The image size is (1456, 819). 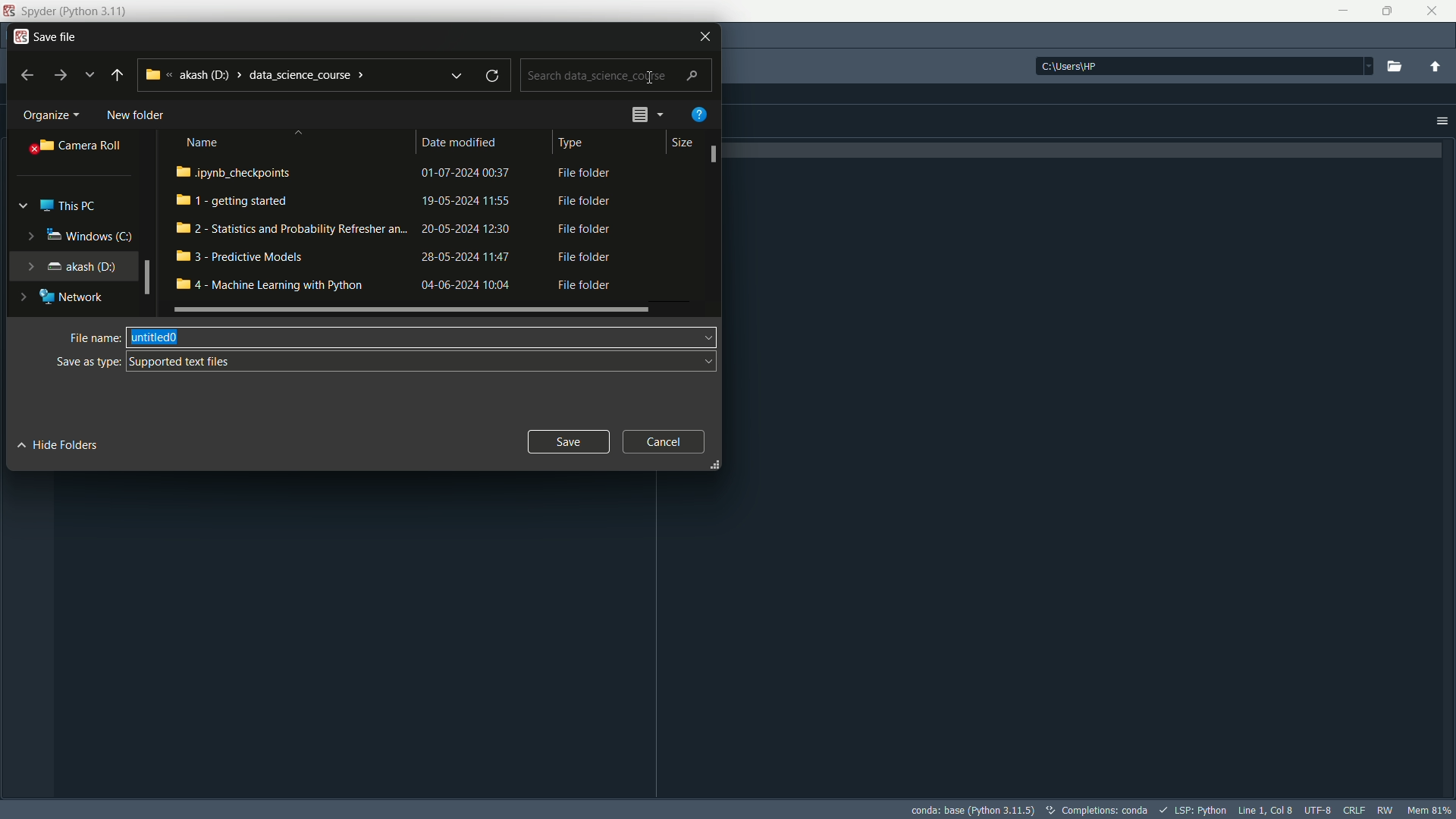 What do you see at coordinates (74, 12) in the screenshot?
I see `spyder (Python 3.11)` at bounding box center [74, 12].